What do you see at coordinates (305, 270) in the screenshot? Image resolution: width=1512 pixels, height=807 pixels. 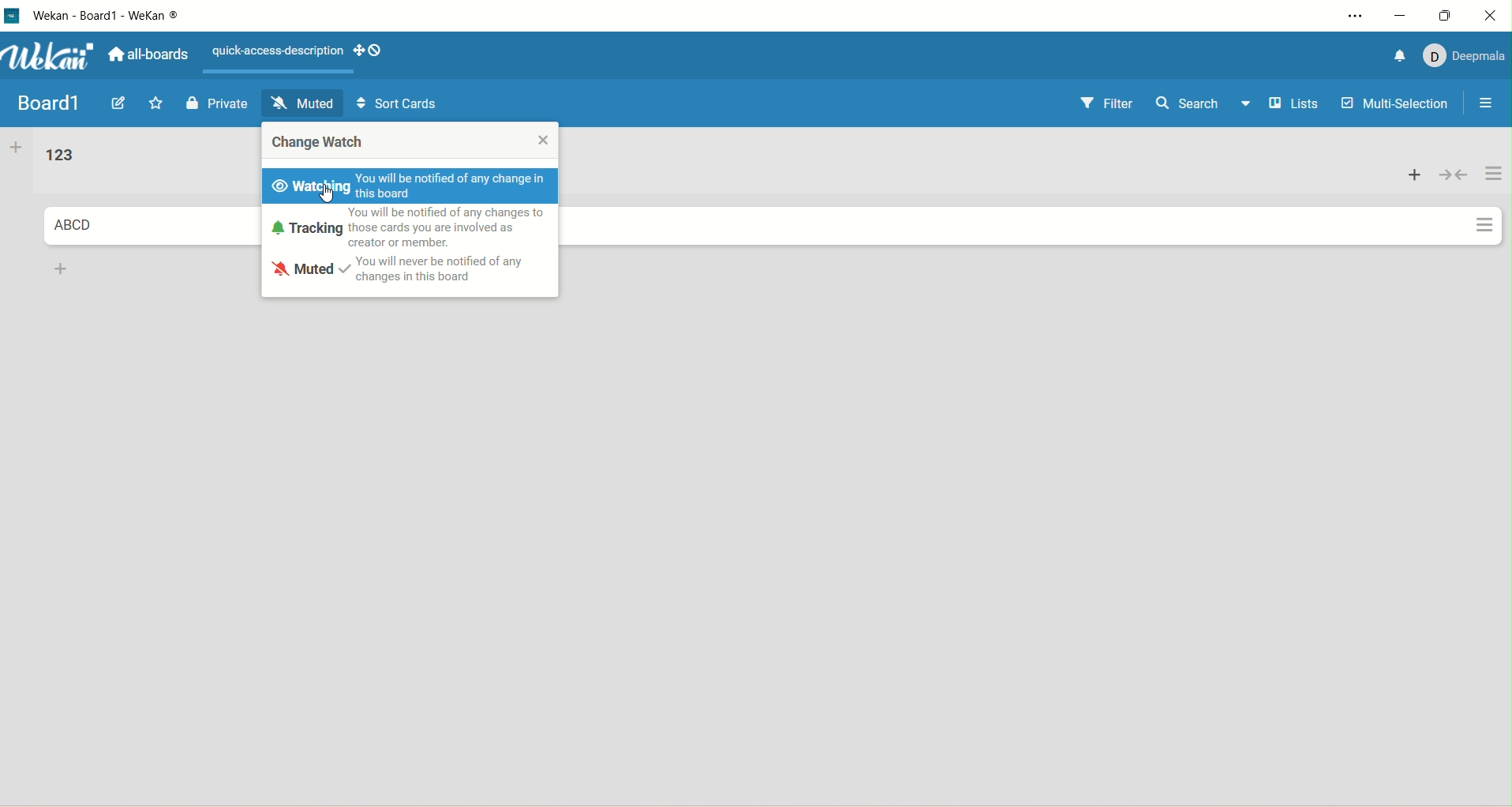 I see `muted` at bounding box center [305, 270].